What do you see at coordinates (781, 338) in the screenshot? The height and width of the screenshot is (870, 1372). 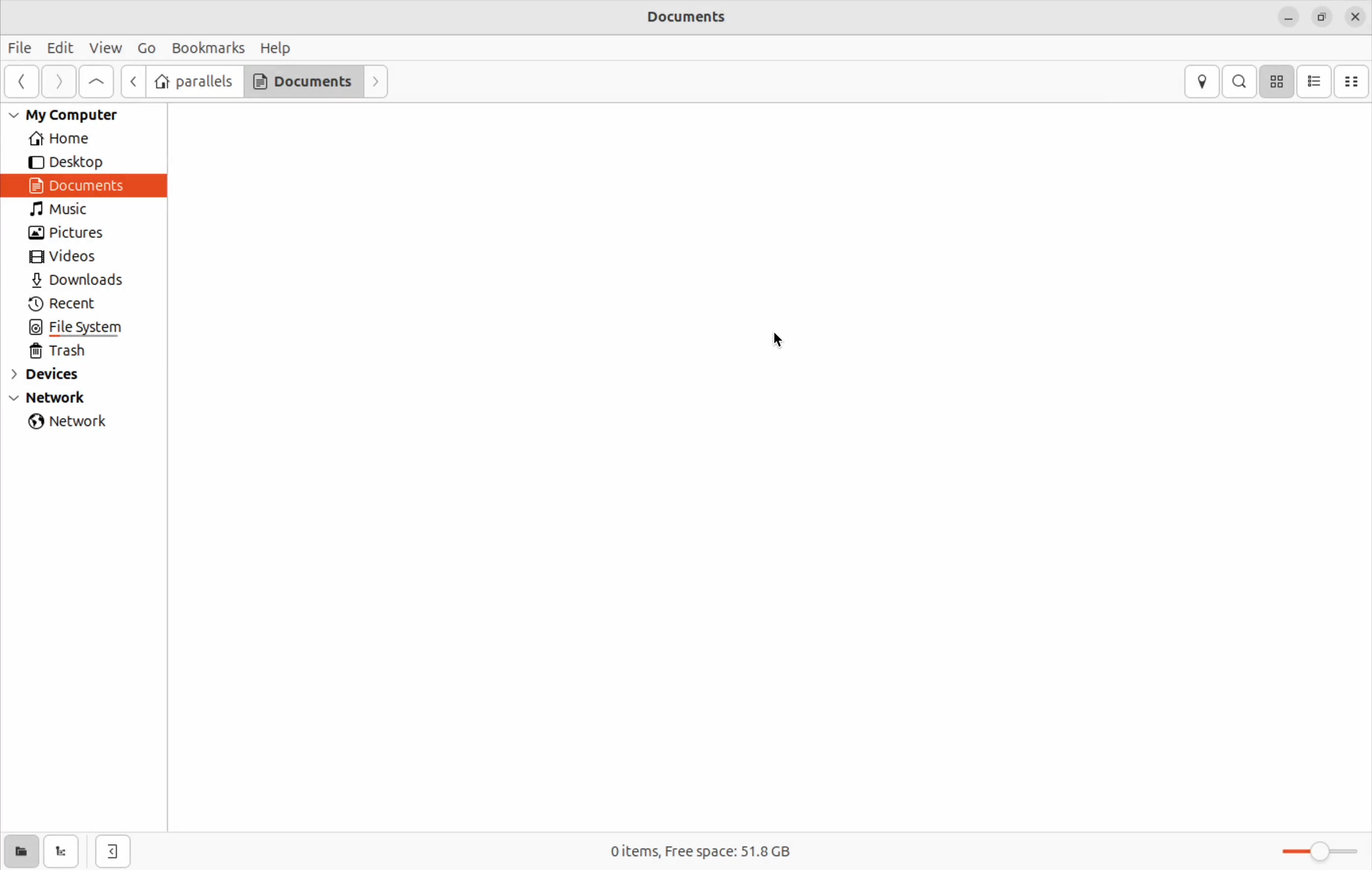 I see `cursor` at bounding box center [781, 338].